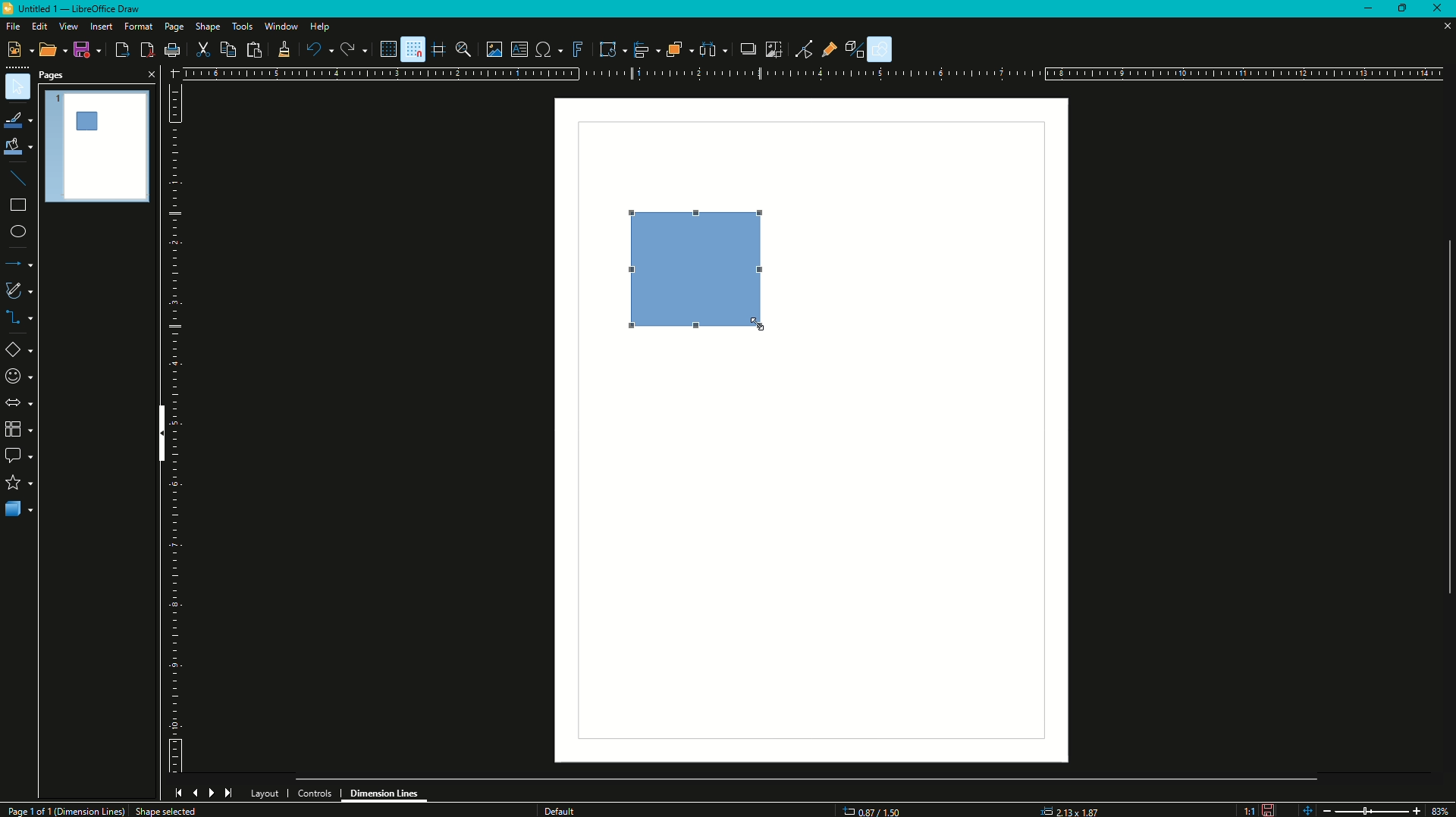  What do you see at coordinates (279, 27) in the screenshot?
I see `Window` at bounding box center [279, 27].